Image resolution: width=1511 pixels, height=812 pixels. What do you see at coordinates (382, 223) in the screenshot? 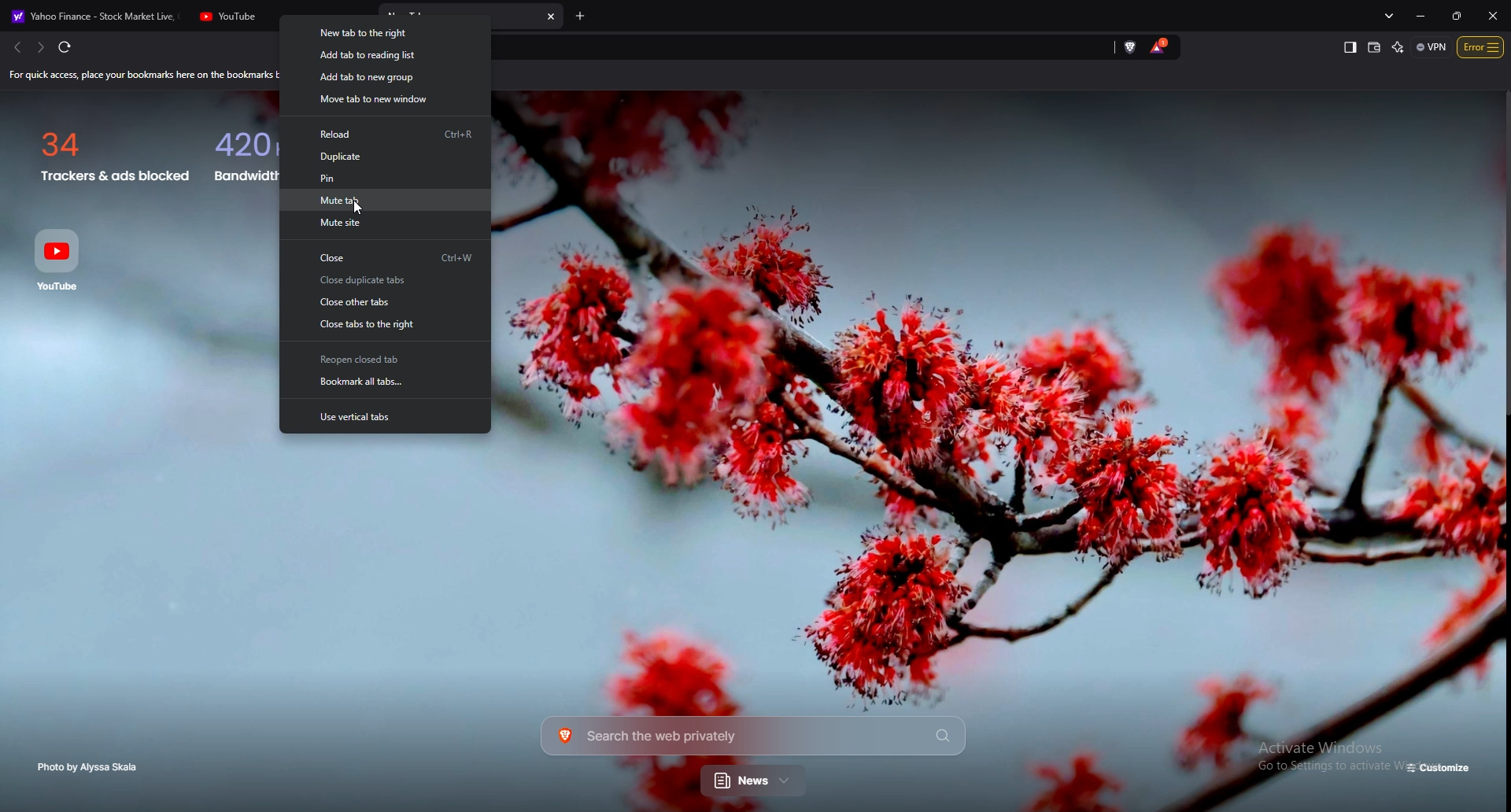
I see `mute site` at bounding box center [382, 223].